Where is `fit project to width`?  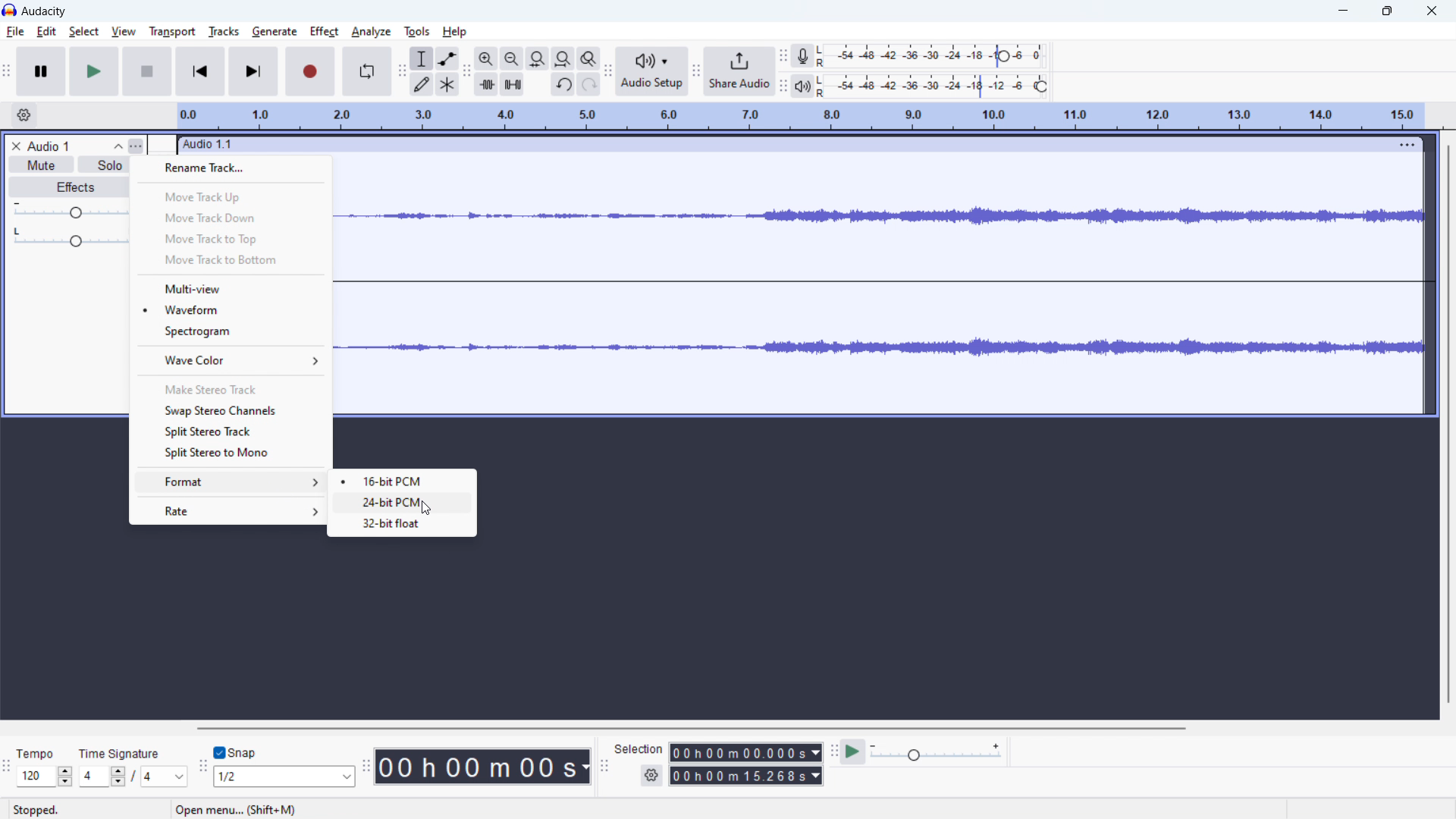 fit project to width is located at coordinates (563, 58).